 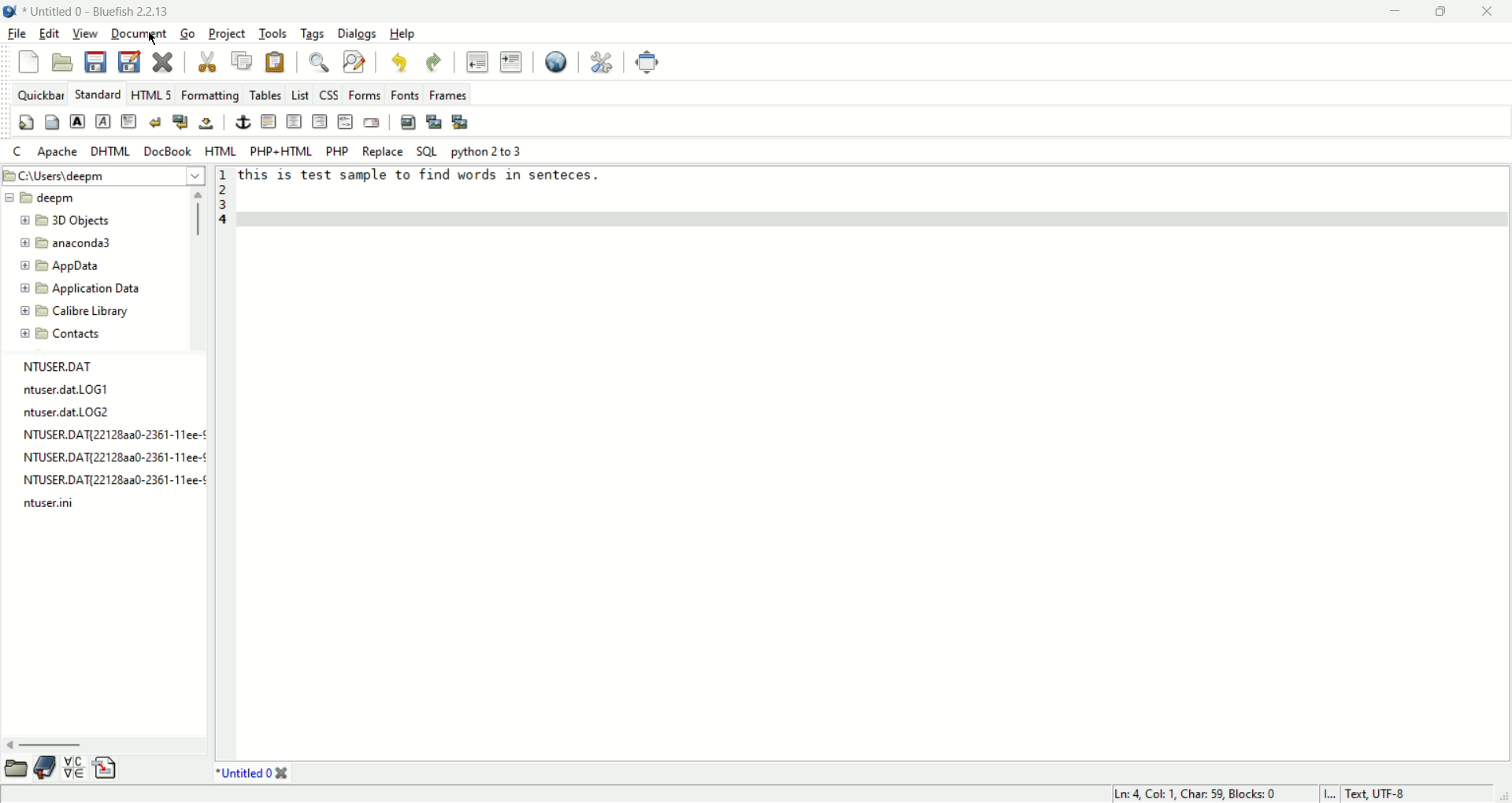 What do you see at coordinates (372, 122) in the screenshot?
I see `email` at bounding box center [372, 122].